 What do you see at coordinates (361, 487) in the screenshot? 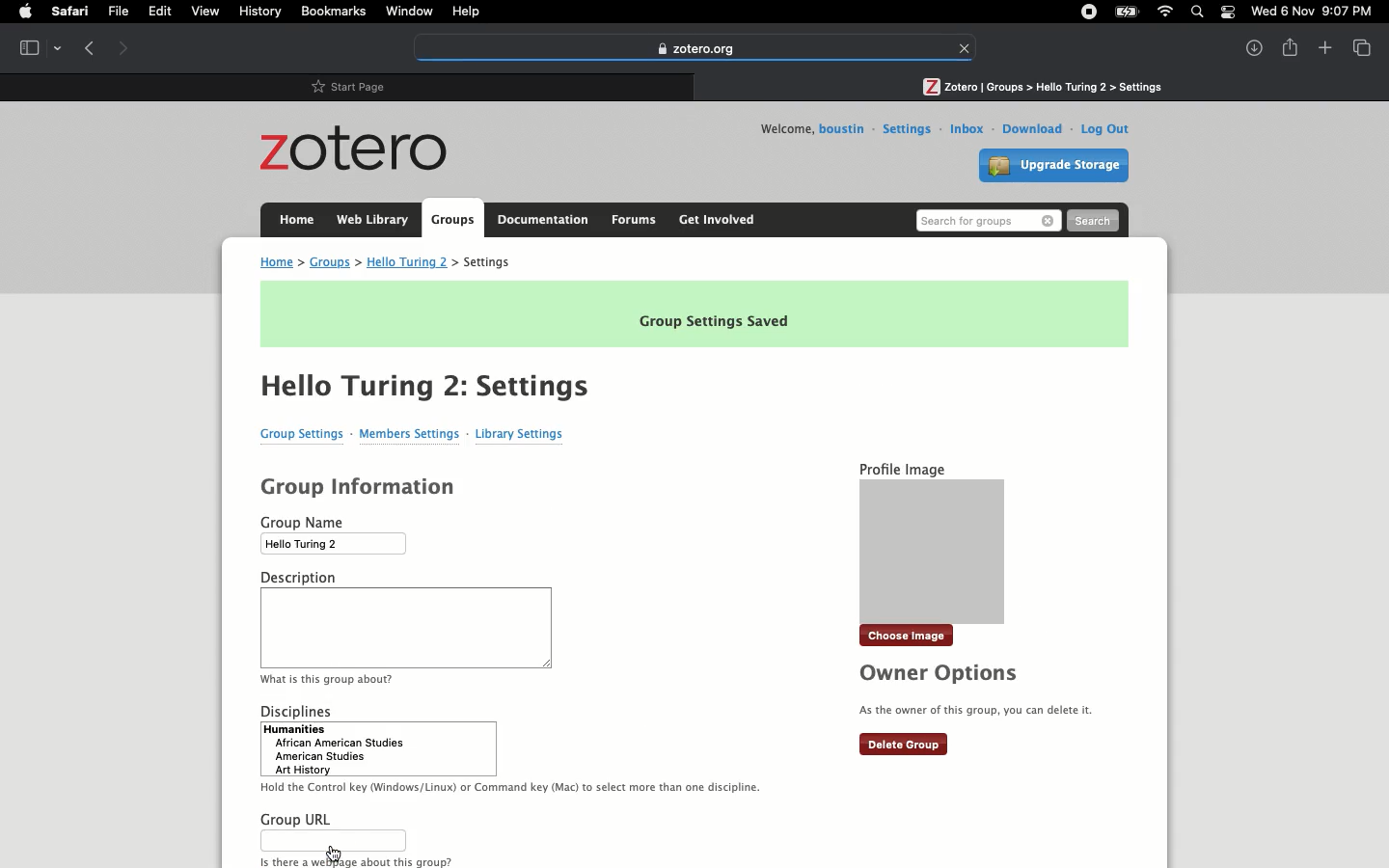
I see `Group information` at bounding box center [361, 487].